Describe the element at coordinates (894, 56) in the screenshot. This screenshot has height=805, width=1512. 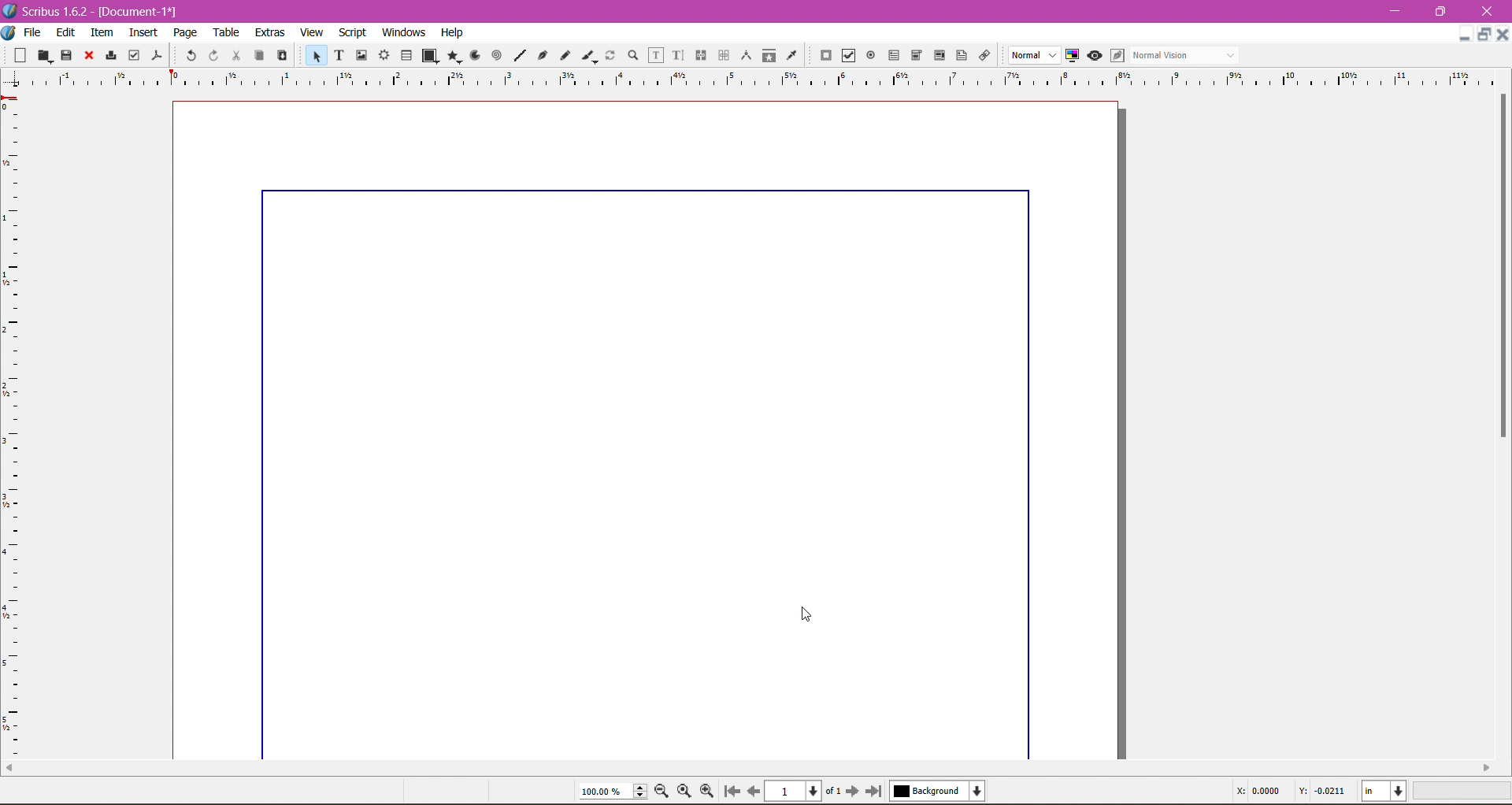
I see `PDF Text Field` at that location.